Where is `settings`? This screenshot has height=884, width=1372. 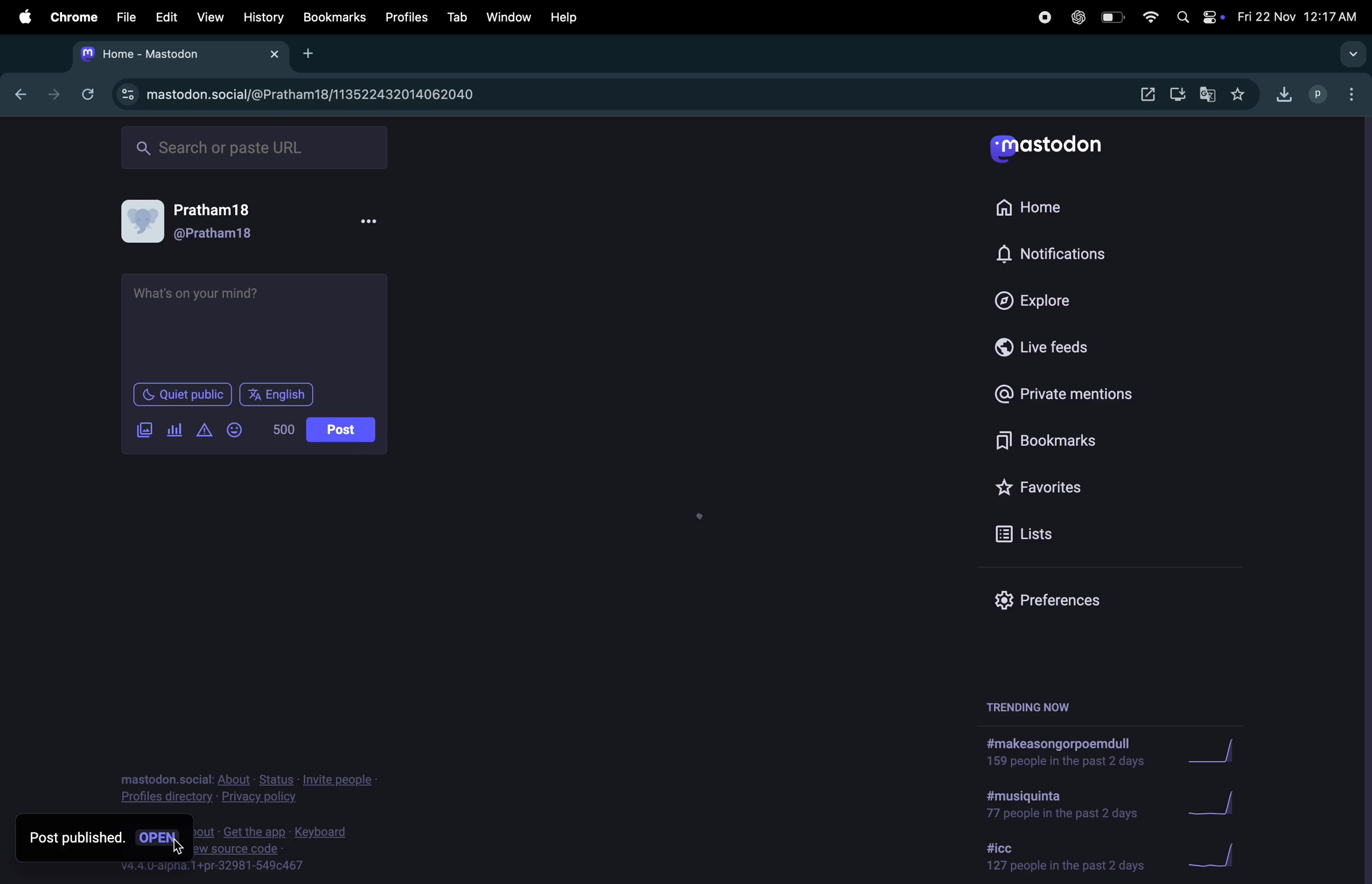
settings is located at coordinates (1137, 93).